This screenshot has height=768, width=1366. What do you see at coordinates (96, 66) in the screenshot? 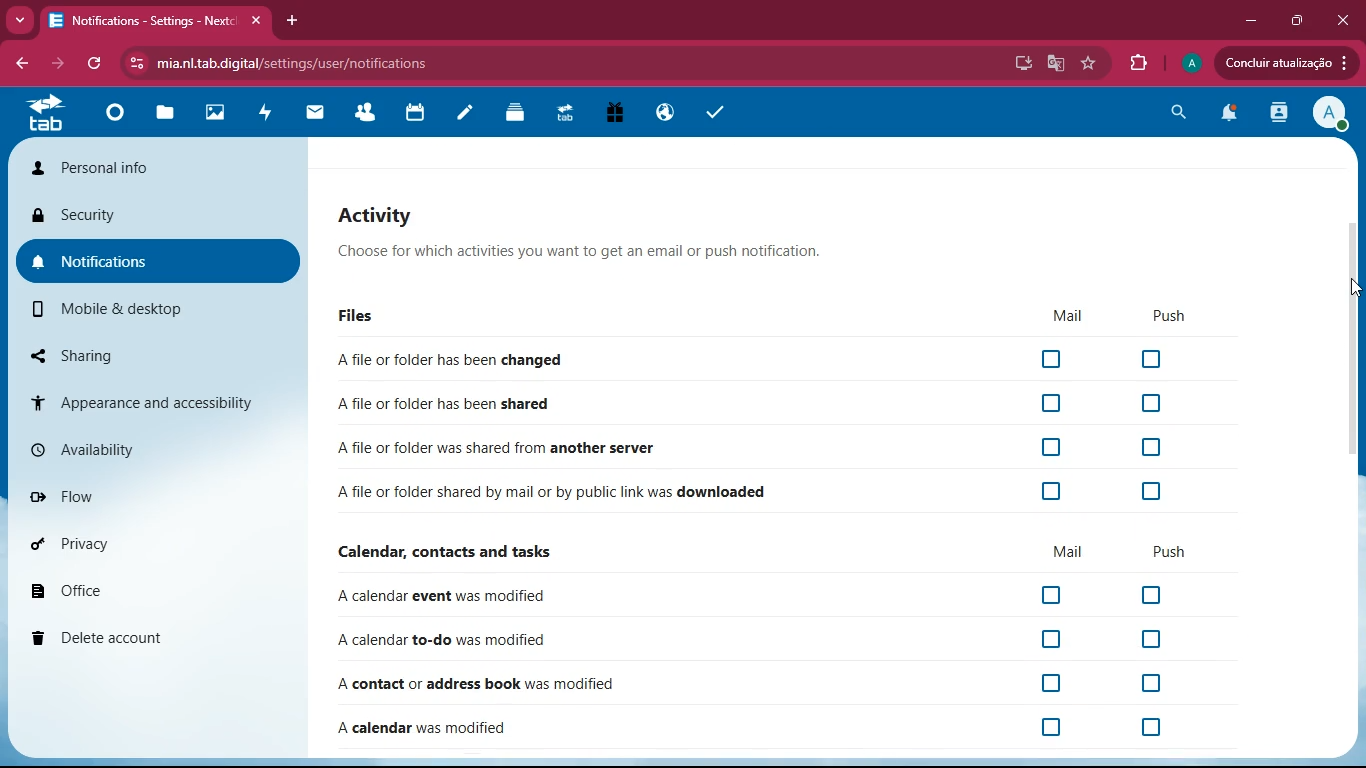
I see `refresh` at bounding box center [96, 66].